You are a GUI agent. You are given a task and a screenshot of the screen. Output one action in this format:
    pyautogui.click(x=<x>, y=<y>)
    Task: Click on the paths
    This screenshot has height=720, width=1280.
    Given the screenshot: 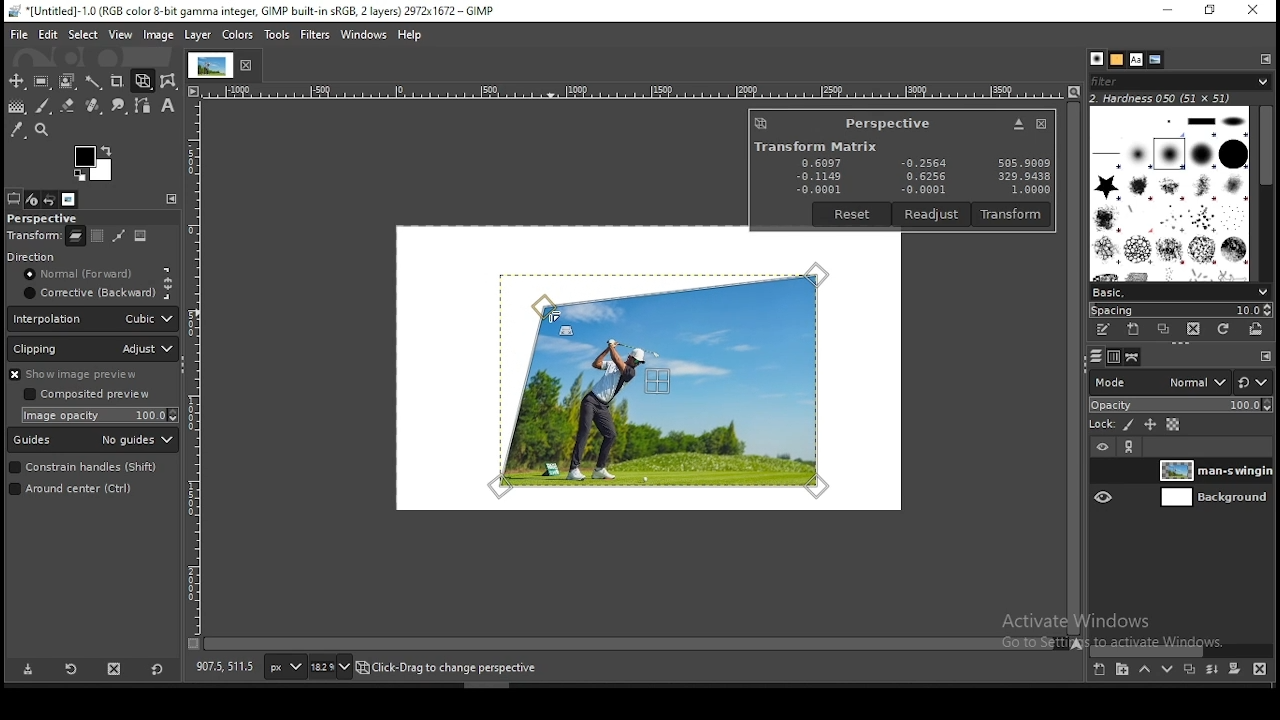 What is the action you would take?
    pyautogui.click(x=1133, y=358)
    